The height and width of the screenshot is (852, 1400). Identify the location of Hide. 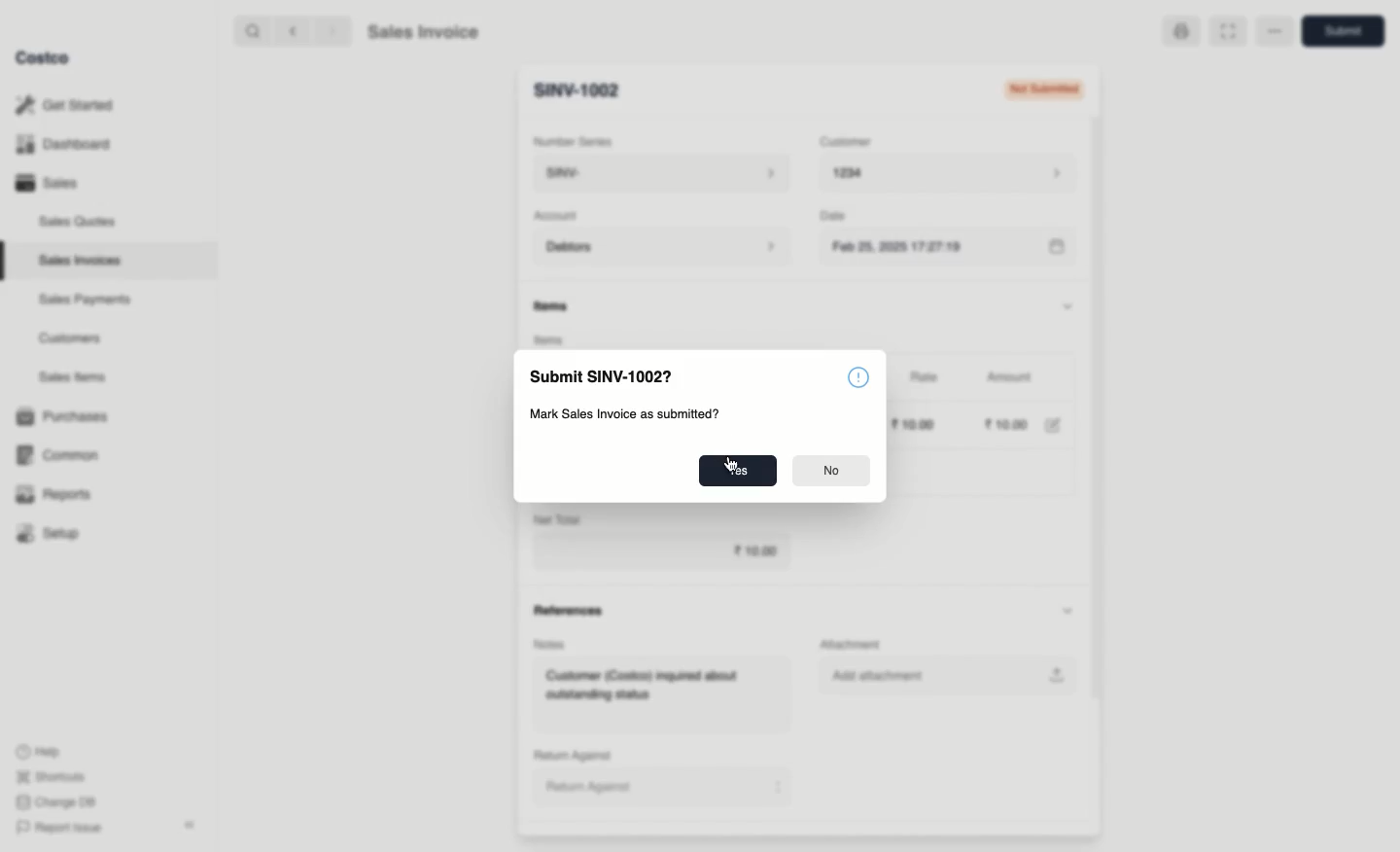
(1069, 305).